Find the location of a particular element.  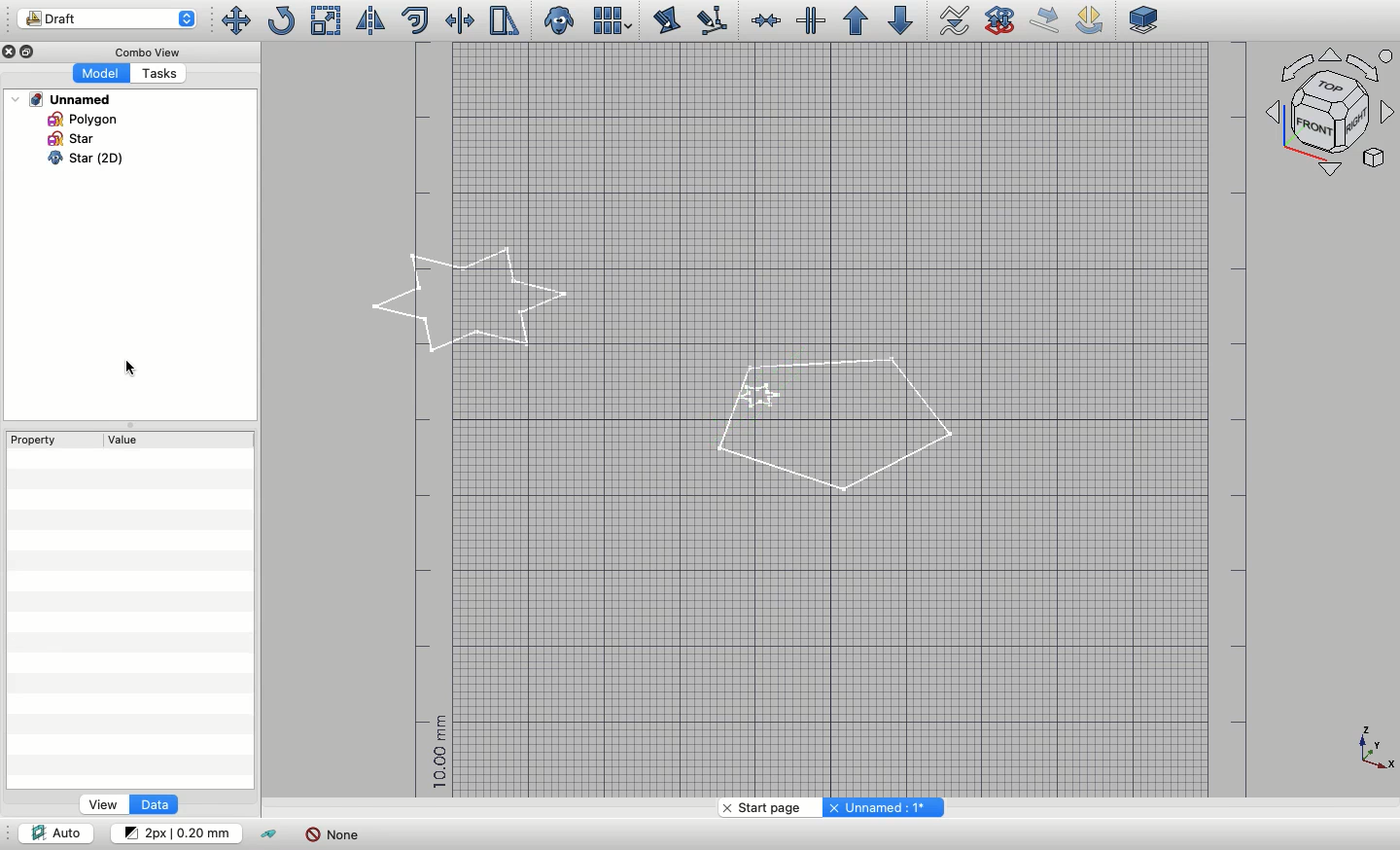

Value is located at coordinates (130, 440).